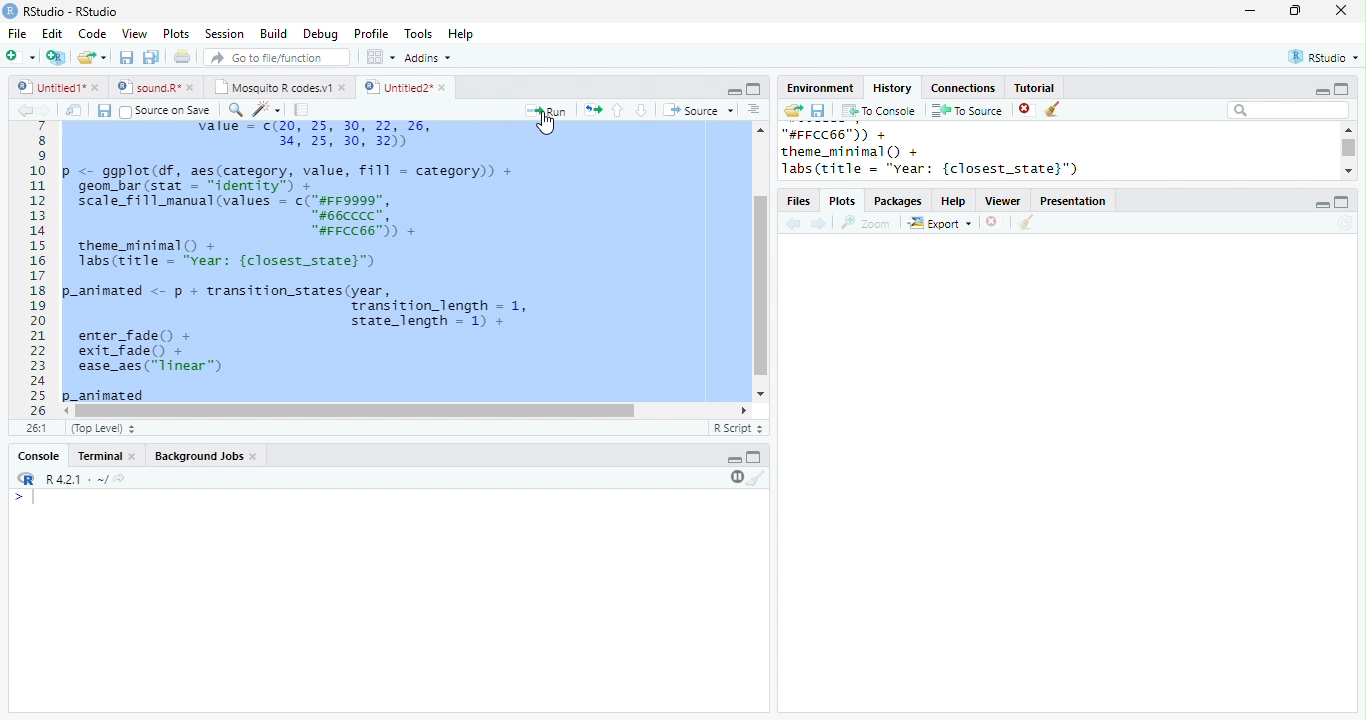 Image resolution: width=1366 pixels, height=720 pixels. I want to click on maximize, so click(1342, 202).